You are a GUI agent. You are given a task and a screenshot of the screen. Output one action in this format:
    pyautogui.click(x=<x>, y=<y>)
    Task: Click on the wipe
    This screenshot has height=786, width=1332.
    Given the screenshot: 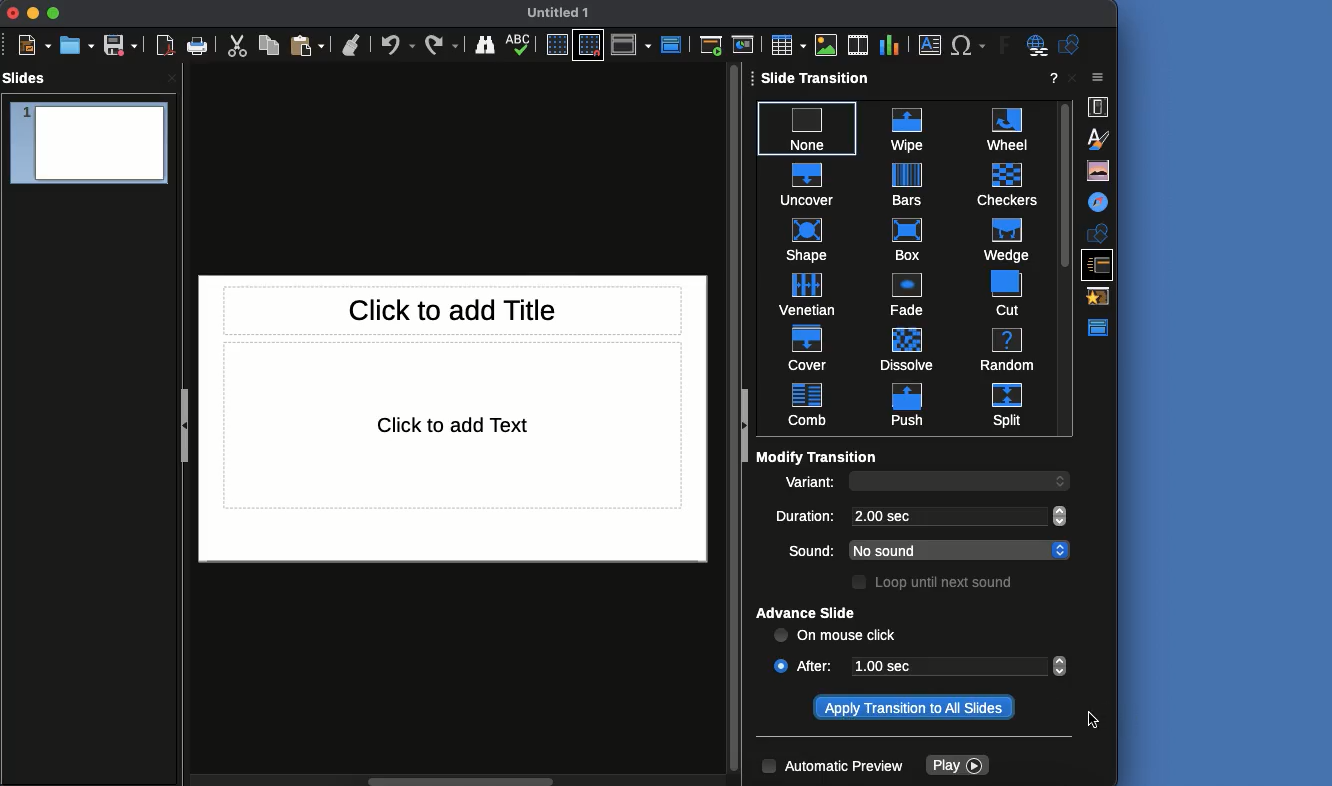 What is the action you would take?
    pyautogui.click(x=905, y=126)
    